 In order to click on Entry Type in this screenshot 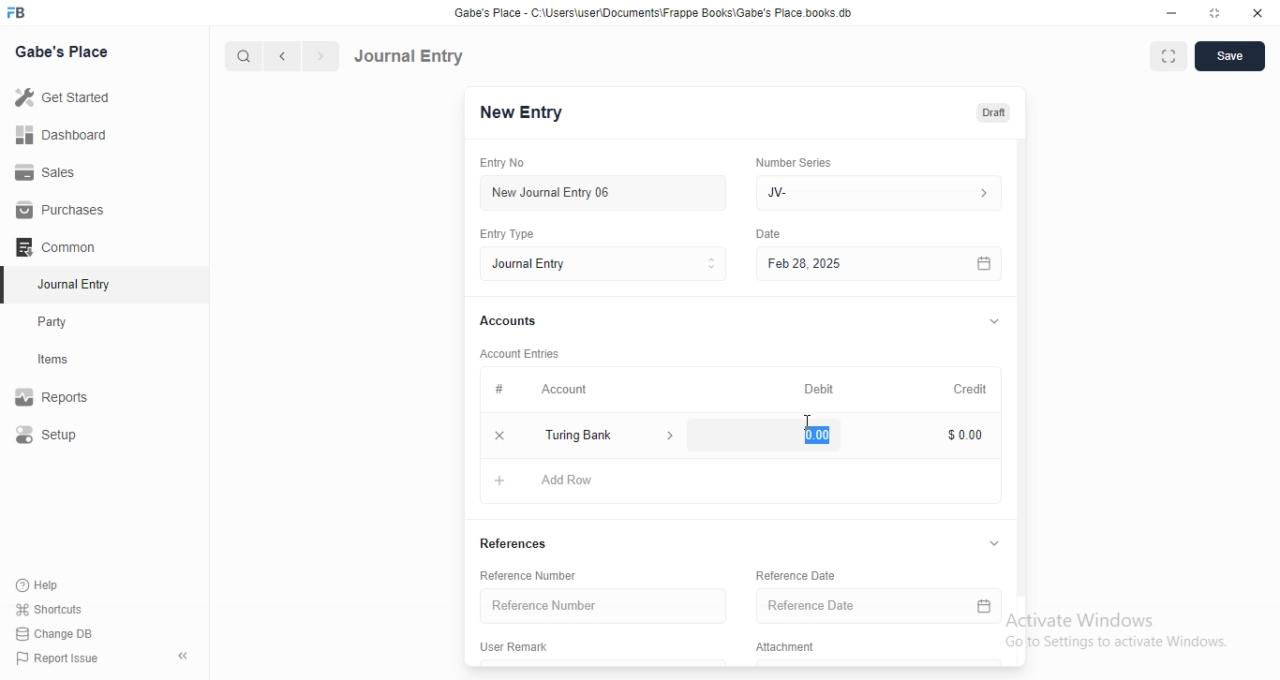, I will do `click(602, 264)`.